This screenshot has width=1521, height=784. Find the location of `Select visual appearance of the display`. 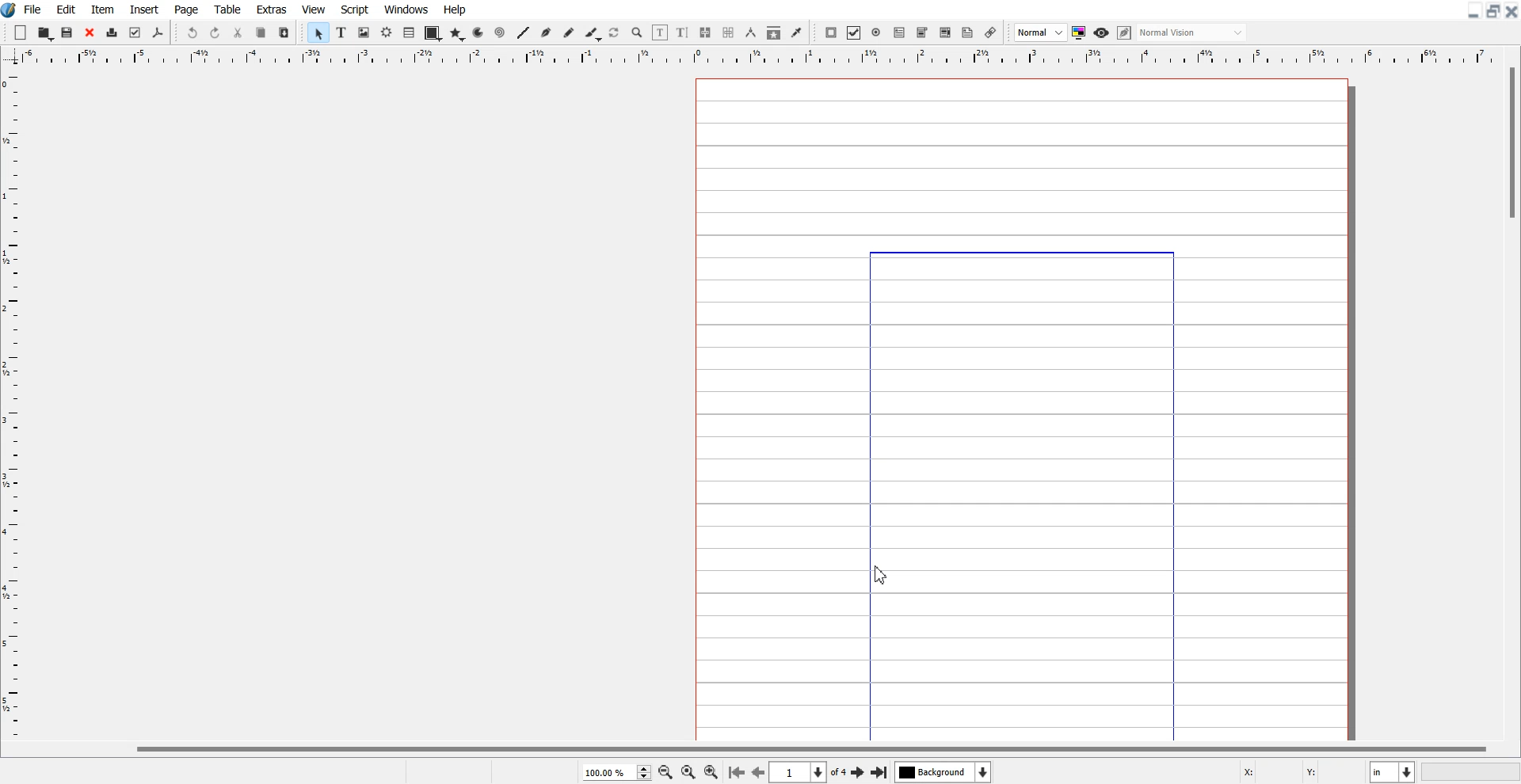

Select visual appearance of the display is located at coordinates (1193, 33).